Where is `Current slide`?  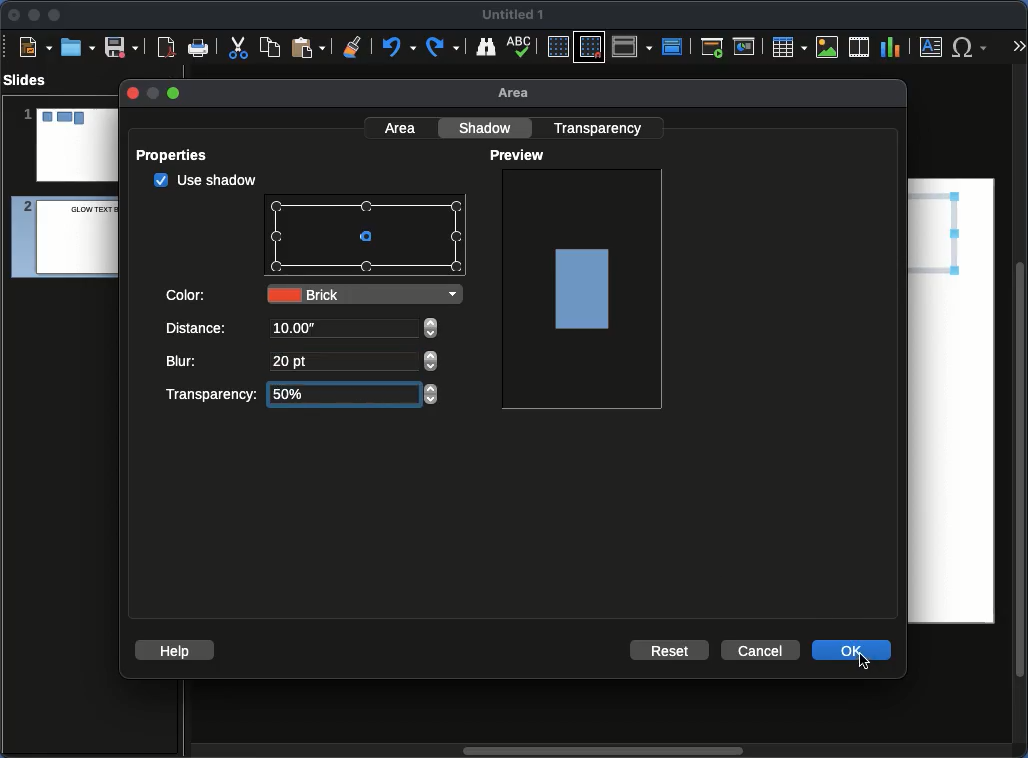
Current slide is located at coordinates (747, 47).